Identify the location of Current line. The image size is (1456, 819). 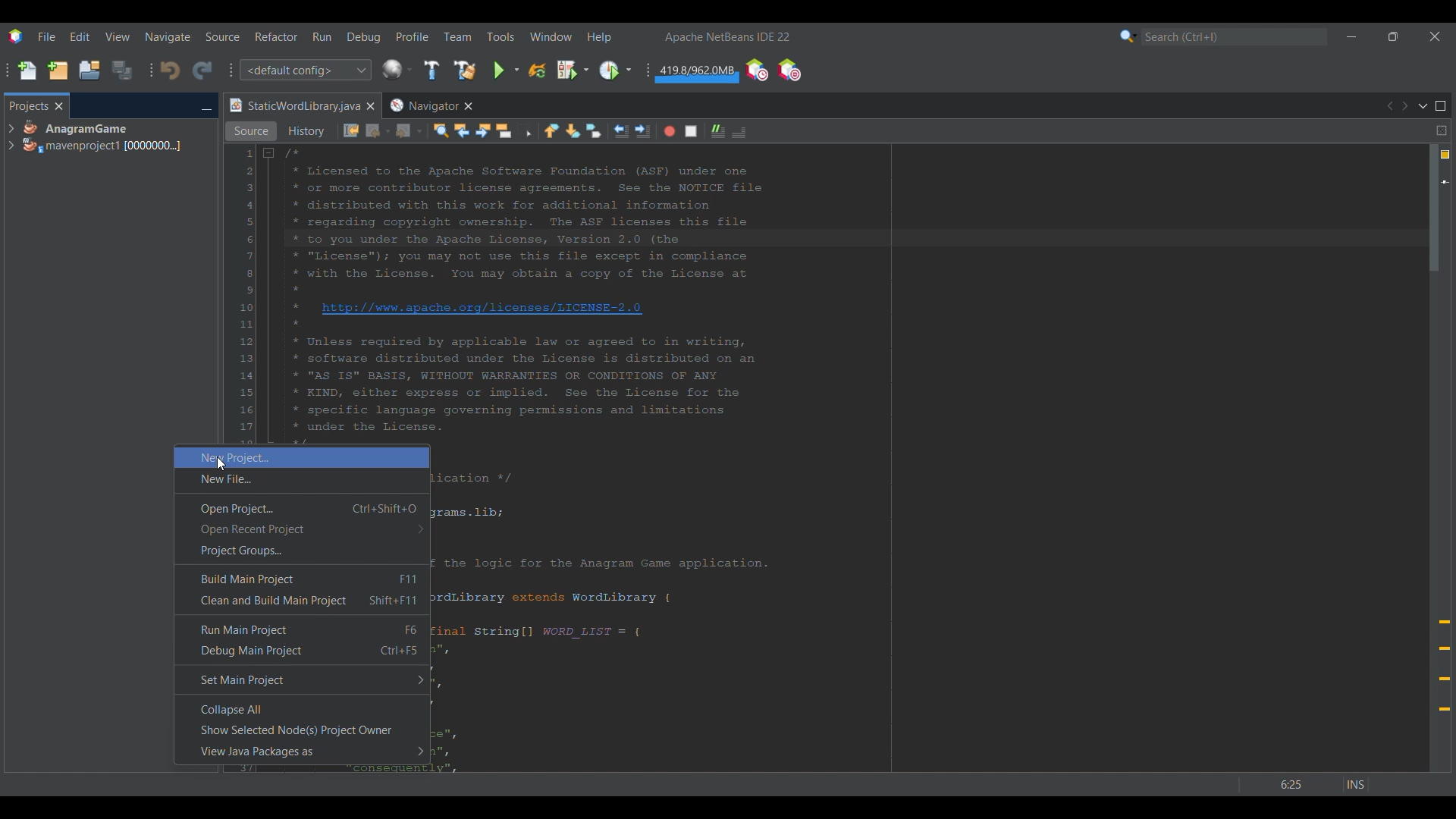
(1445, 182).